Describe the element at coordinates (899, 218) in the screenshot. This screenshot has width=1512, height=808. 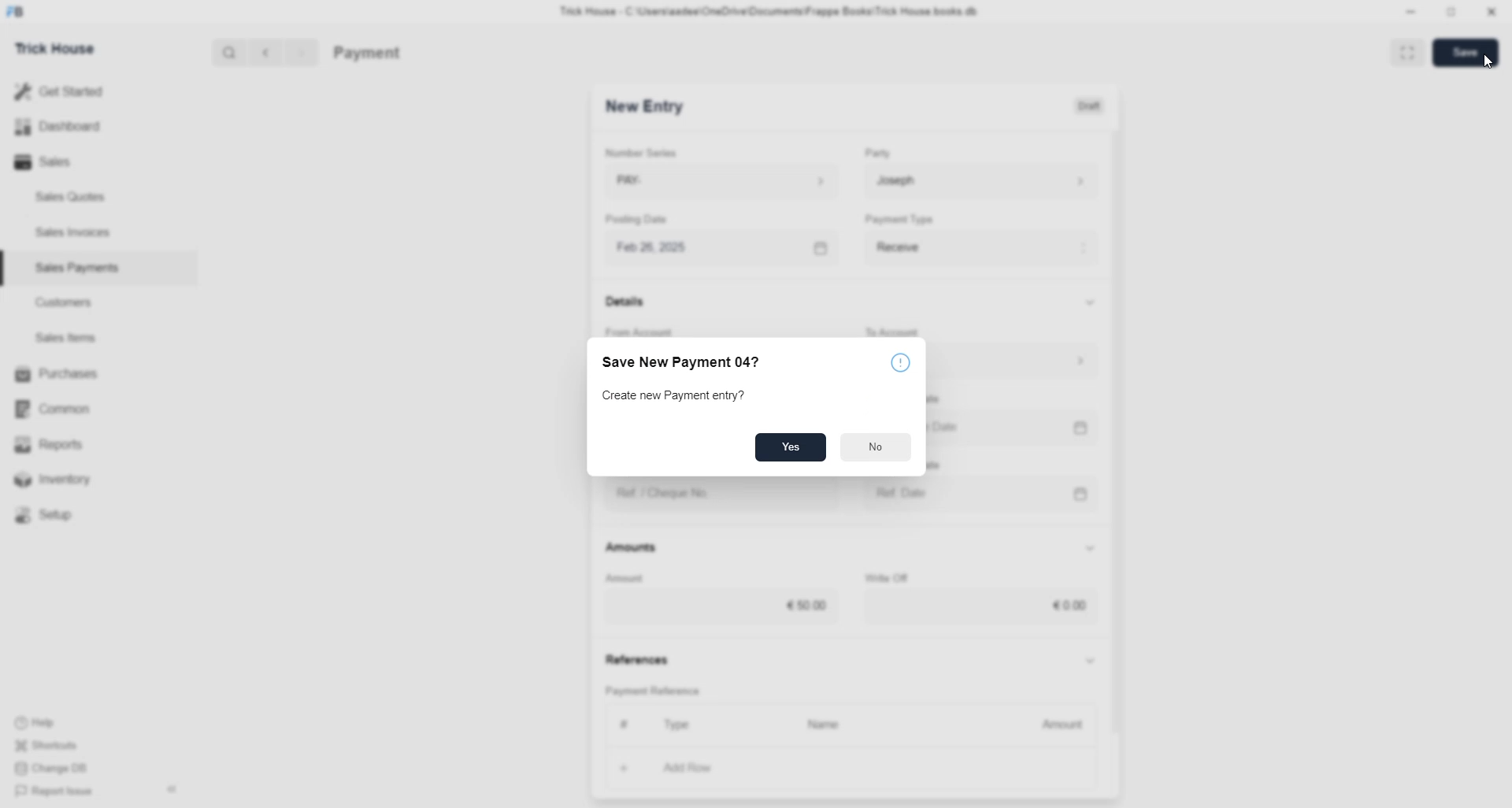
I see `Payment Type` at that location.